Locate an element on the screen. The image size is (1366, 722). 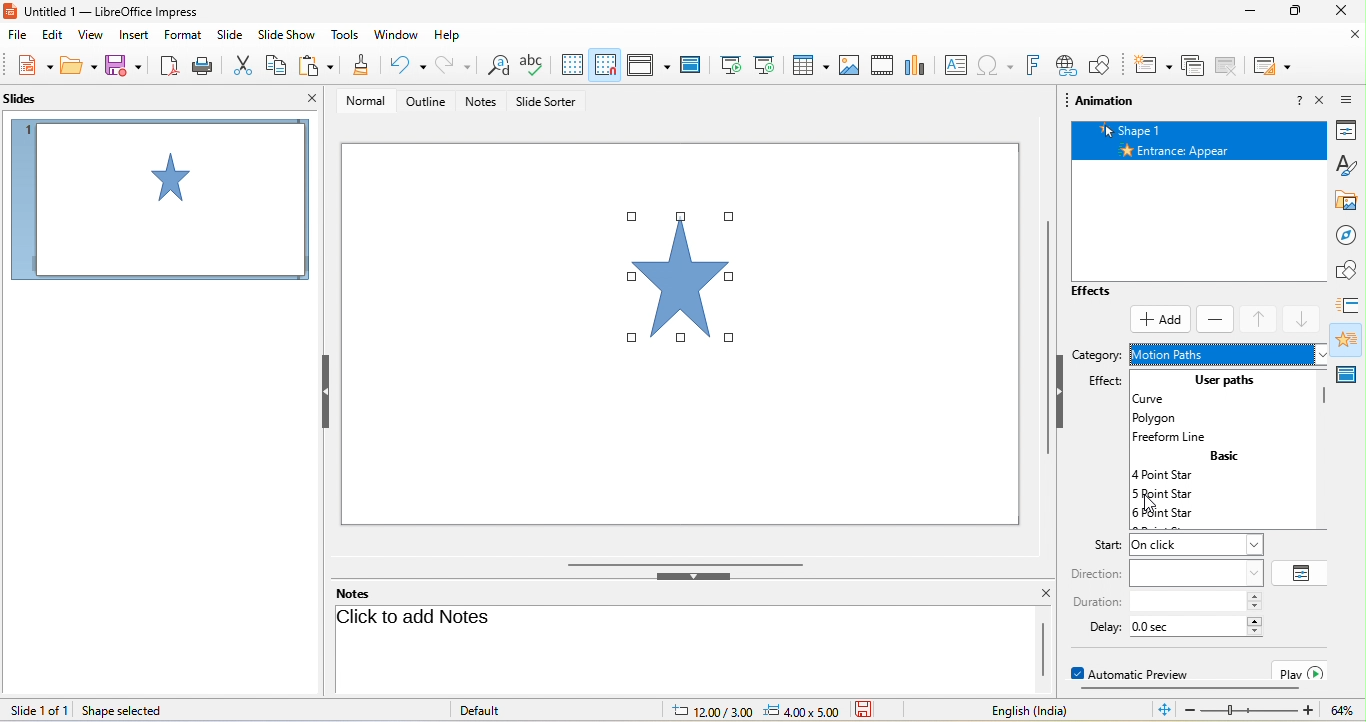
slide is located at coordinates (231, 36).